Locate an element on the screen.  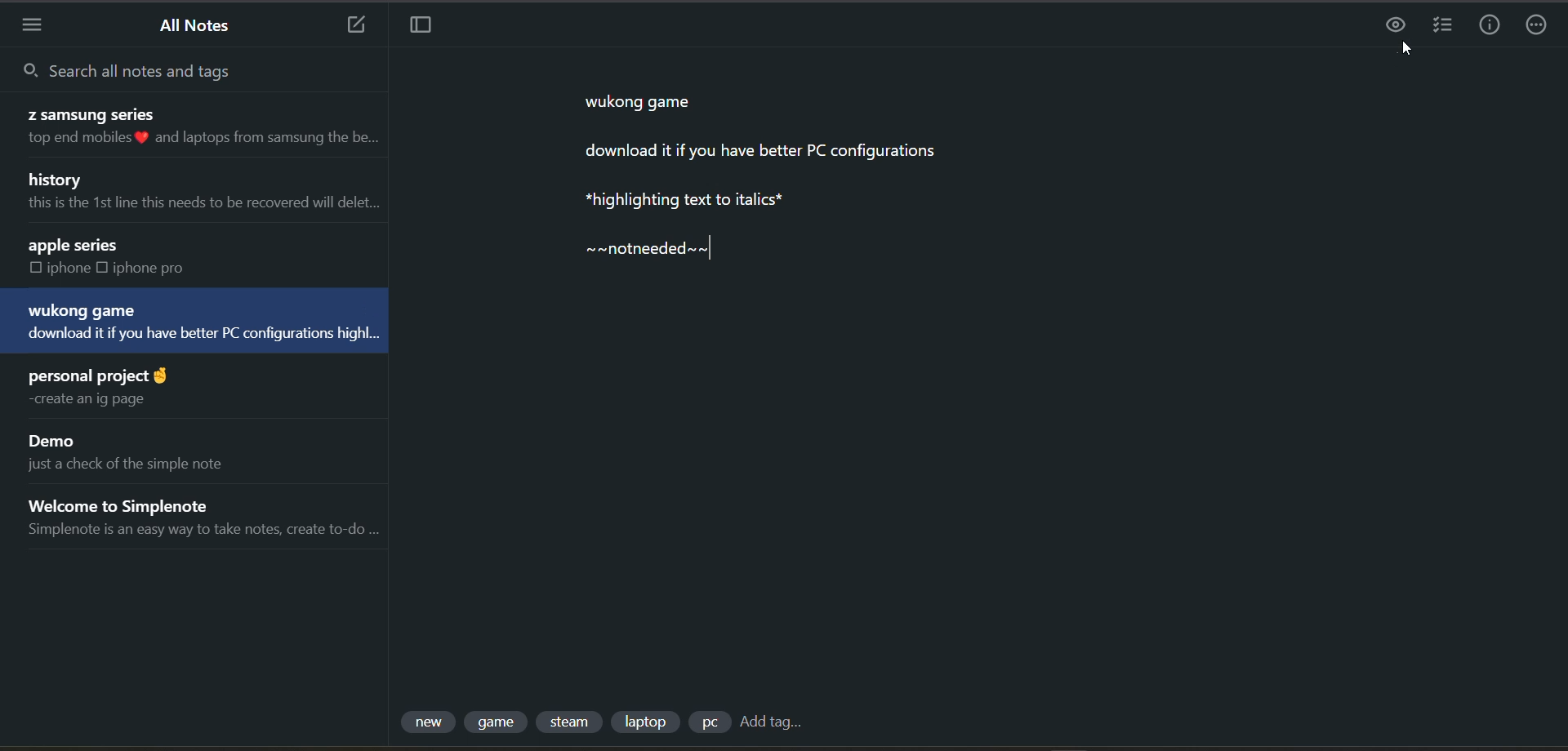
tag 5 is located at coordinates (710, 722).